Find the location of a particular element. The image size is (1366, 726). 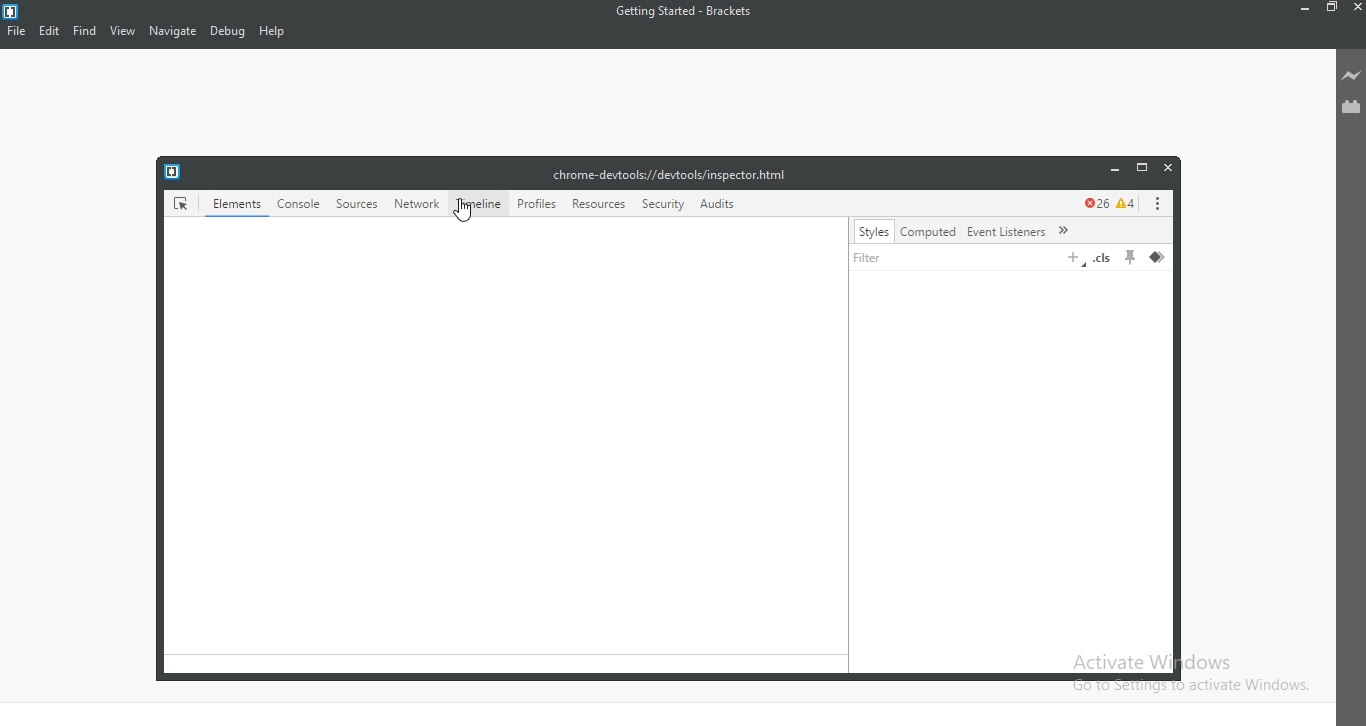

restore is located at coordinates (1143, 169).